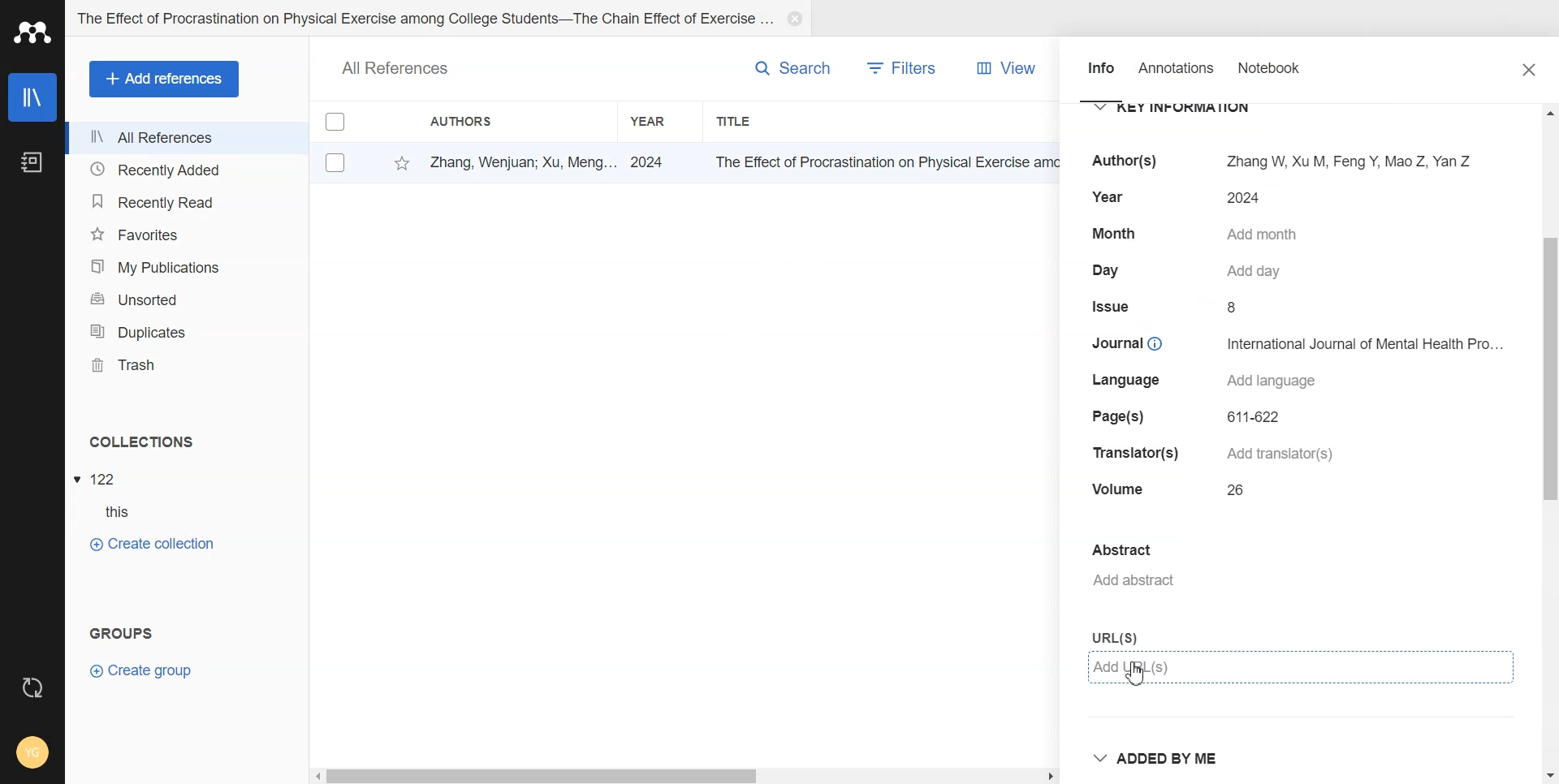  I want to click on Volume 26, so click(1174, 490).